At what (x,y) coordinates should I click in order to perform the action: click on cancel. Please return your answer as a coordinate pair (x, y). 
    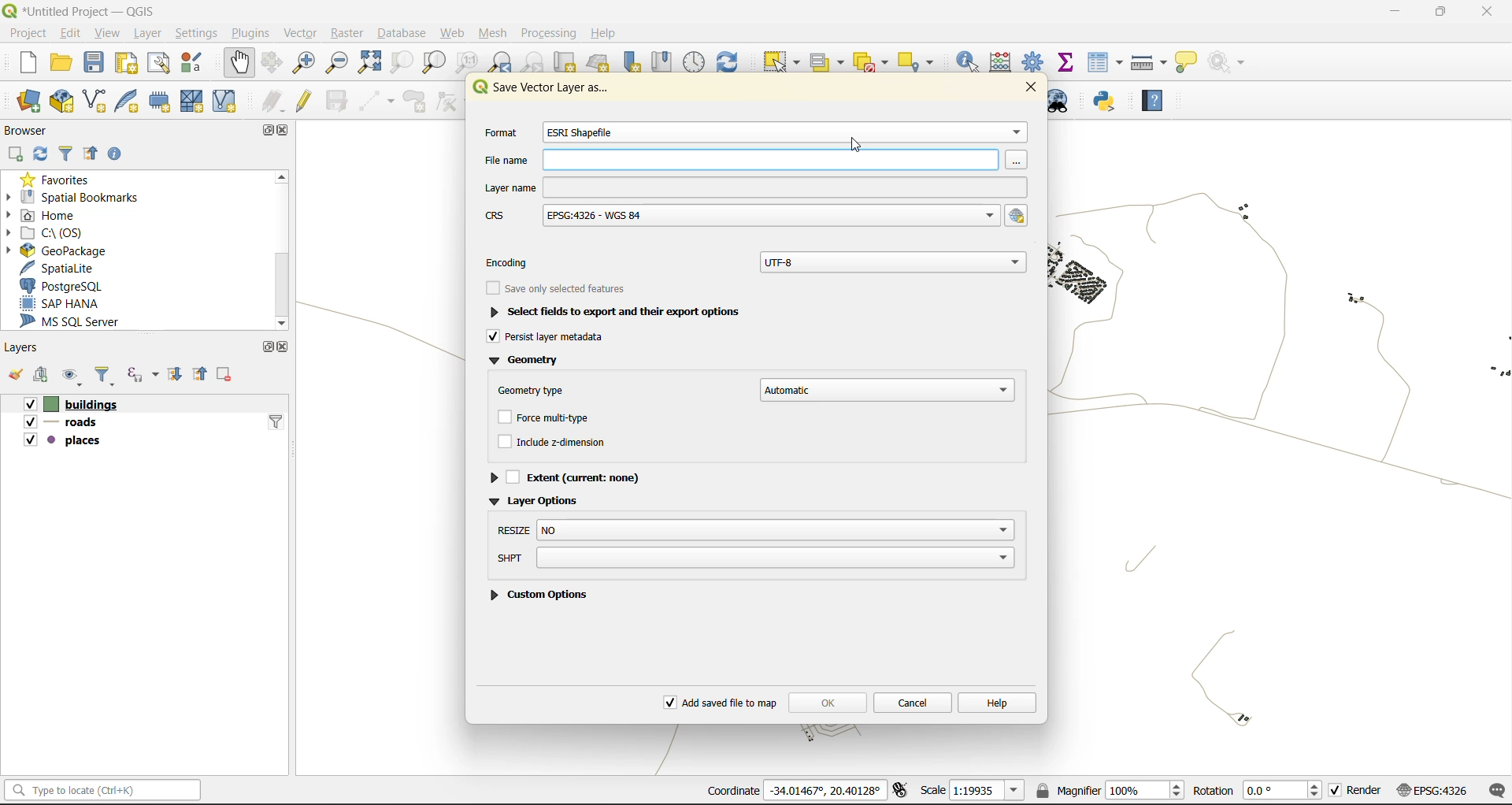
    Looking at the image, I should click on (912, 701).